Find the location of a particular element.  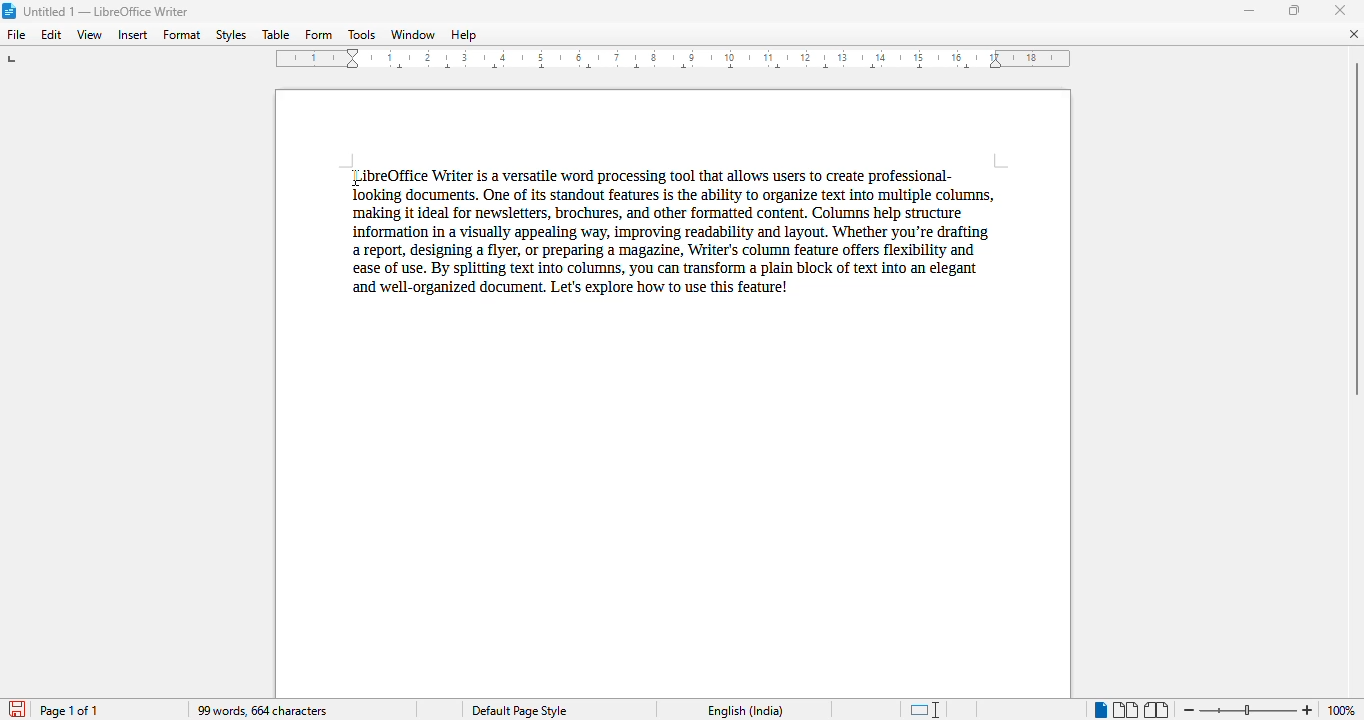

page 1 of 1 is located at coordinates (72, 711).